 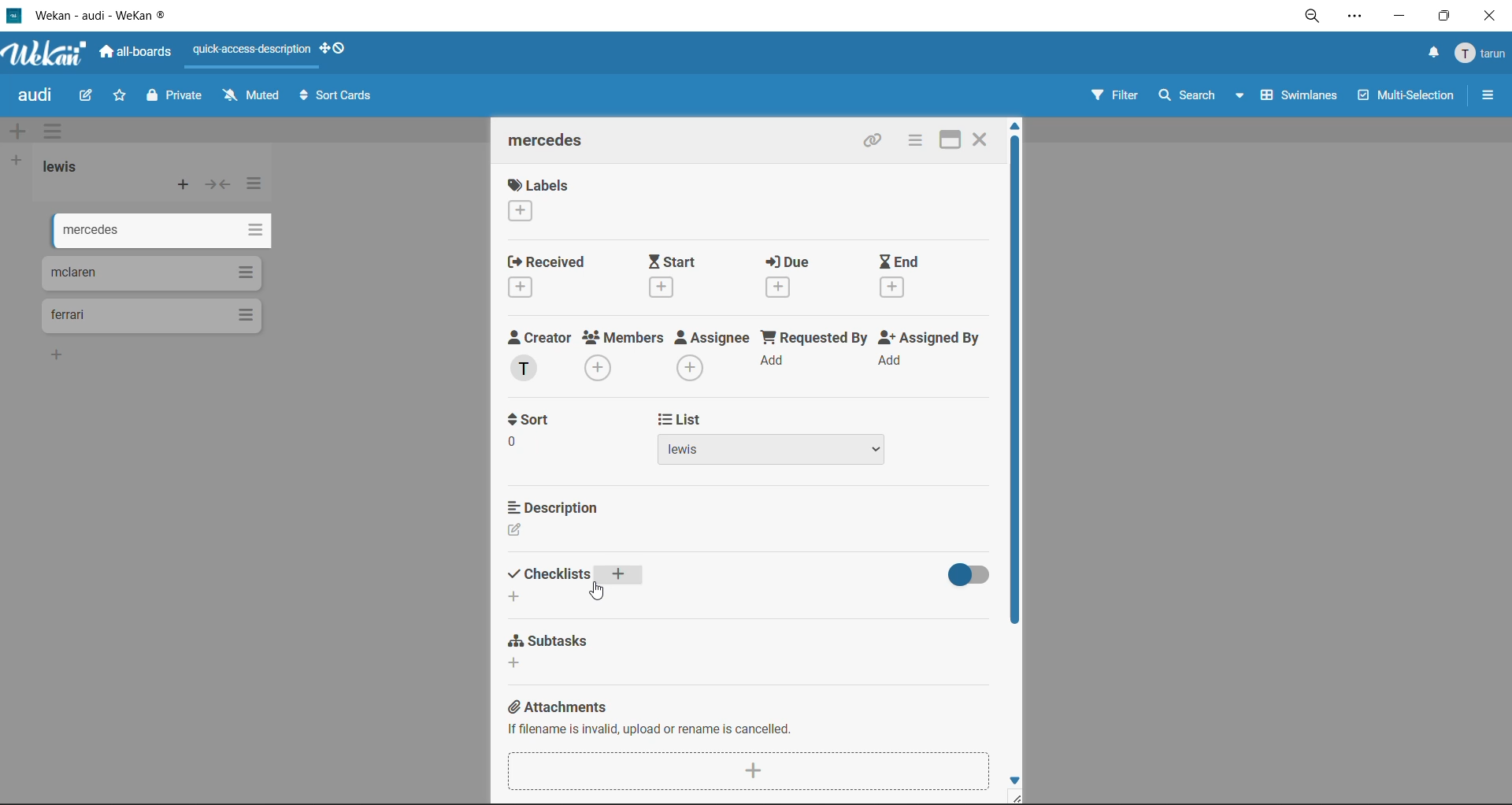 What do you see at coordinates (557, 655) in the screenshot?
I see `subtasks` at bounding box center [557, 655].